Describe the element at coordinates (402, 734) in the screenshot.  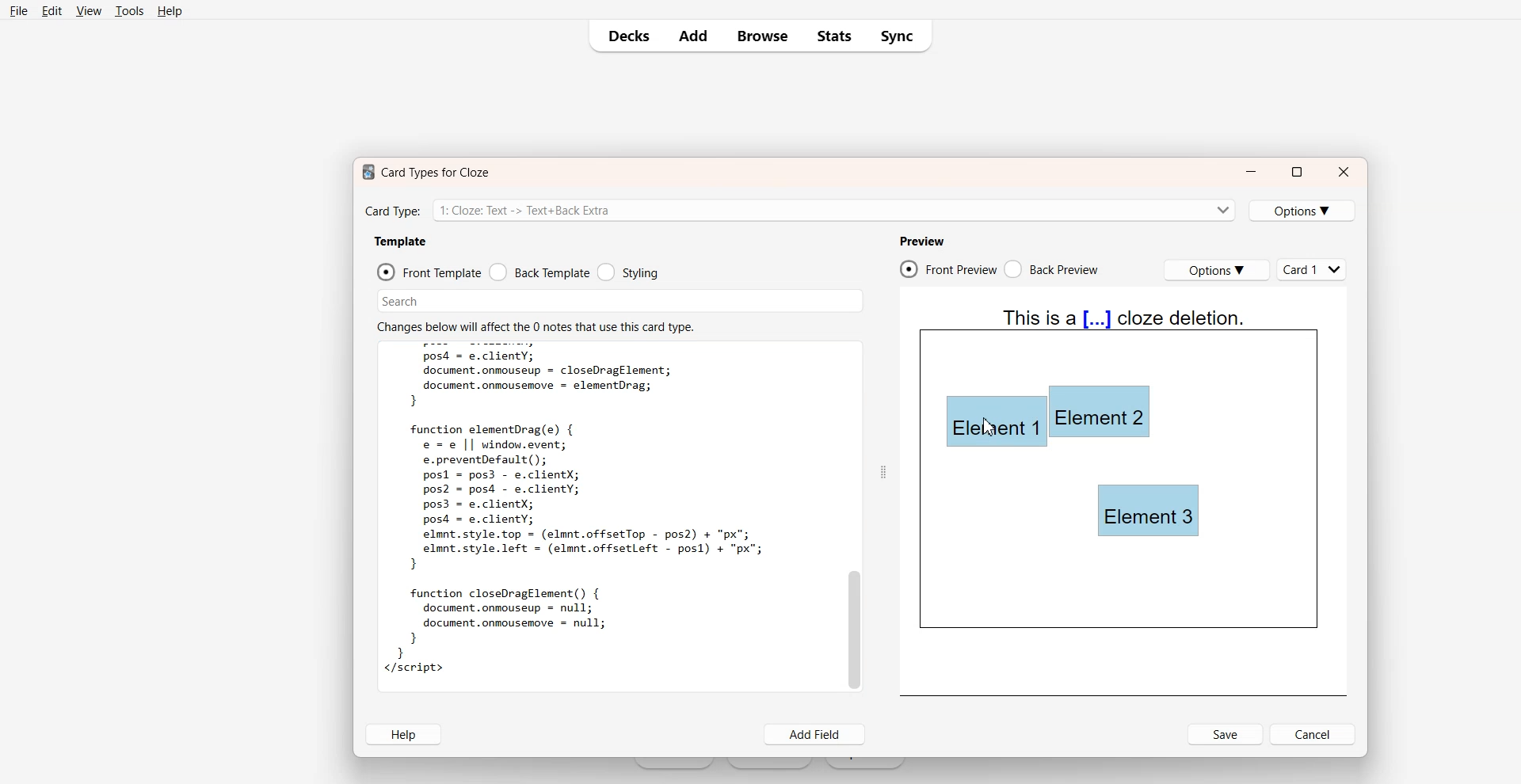
I see `Help` at that location.